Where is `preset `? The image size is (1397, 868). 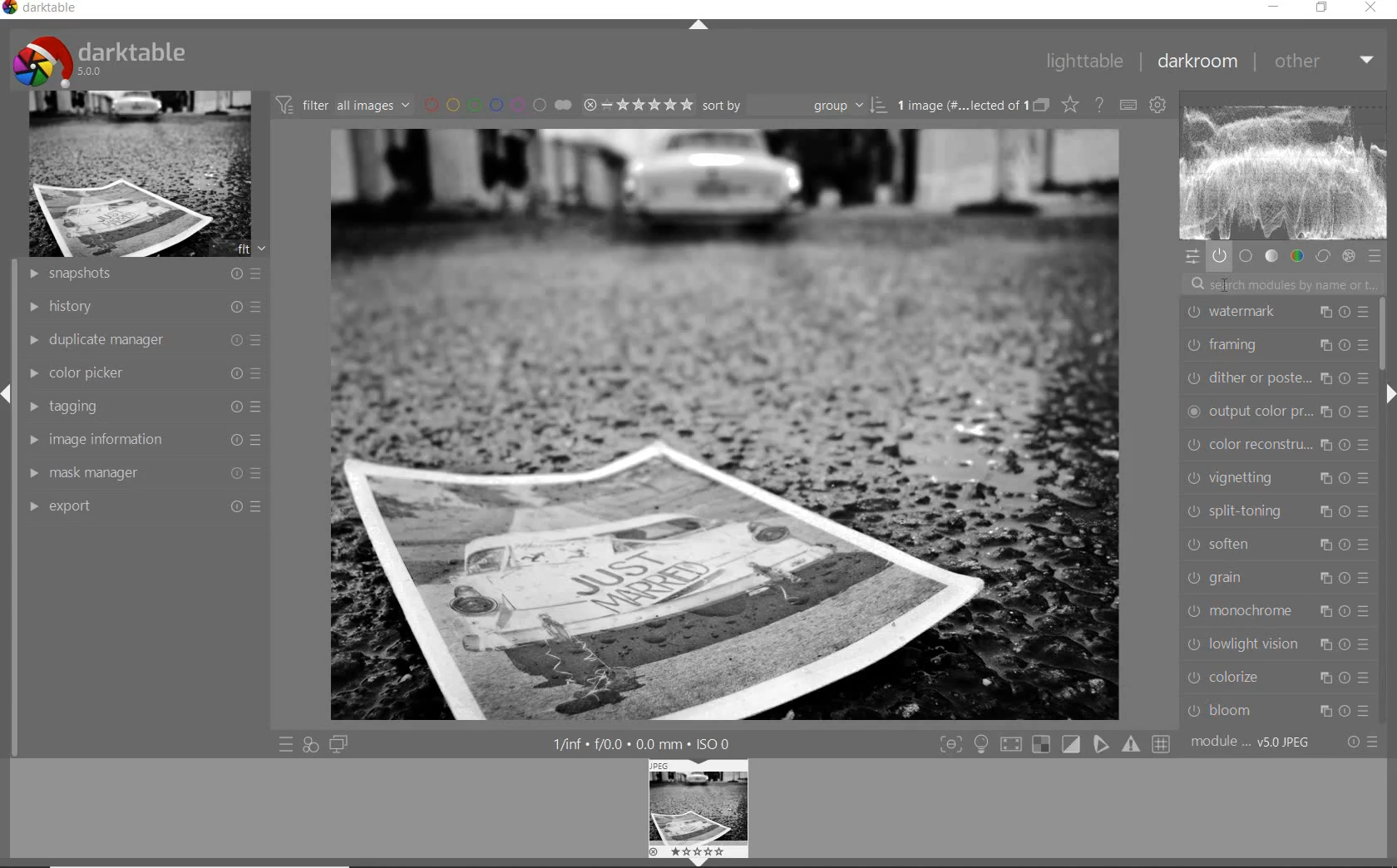 preset  is located at coordinates (1375, 257).